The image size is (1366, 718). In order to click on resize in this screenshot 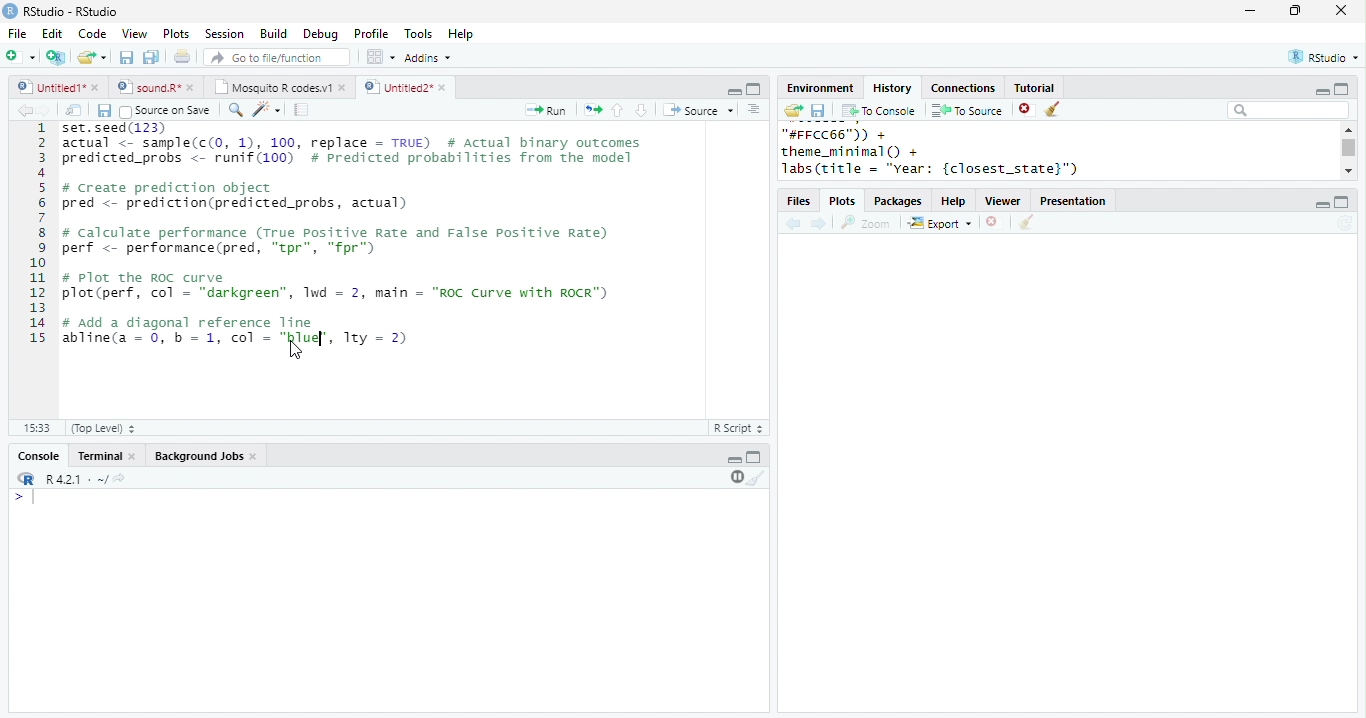, I will do `click(1295, 11)`.